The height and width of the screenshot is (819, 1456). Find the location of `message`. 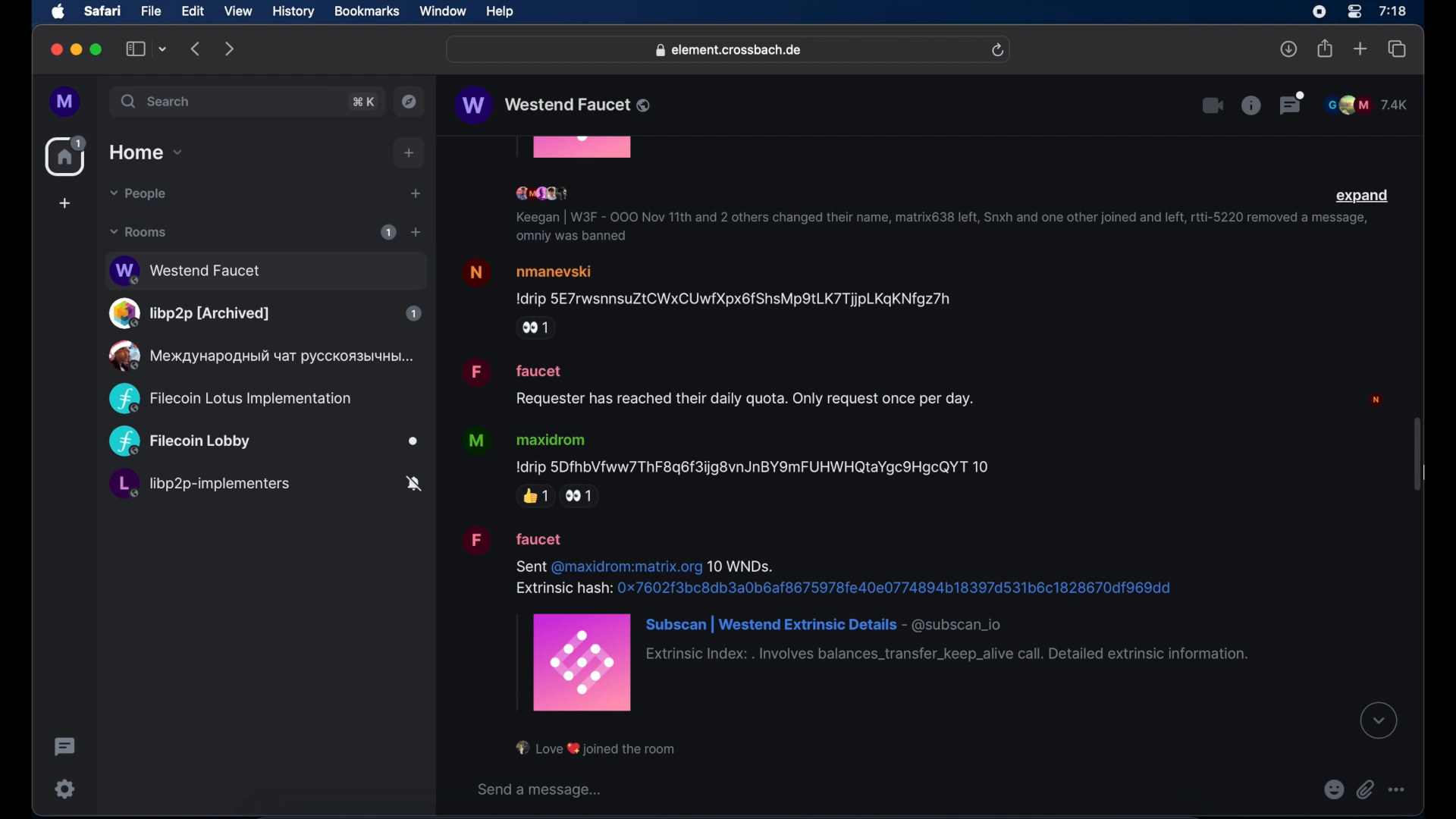

message is located at coordinates (732, 451).